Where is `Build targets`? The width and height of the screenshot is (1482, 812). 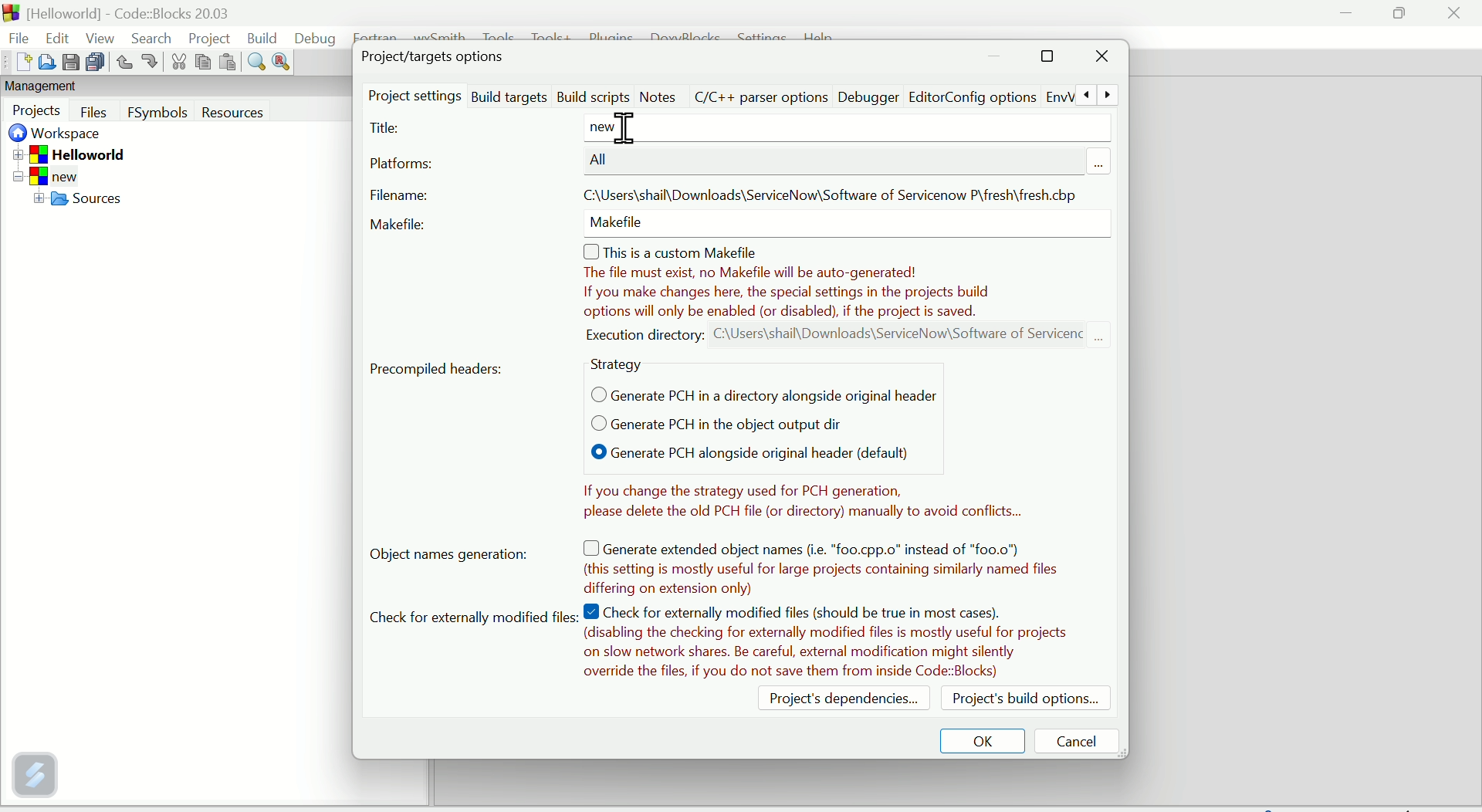
Build targets is located at coordinates (509, 94).